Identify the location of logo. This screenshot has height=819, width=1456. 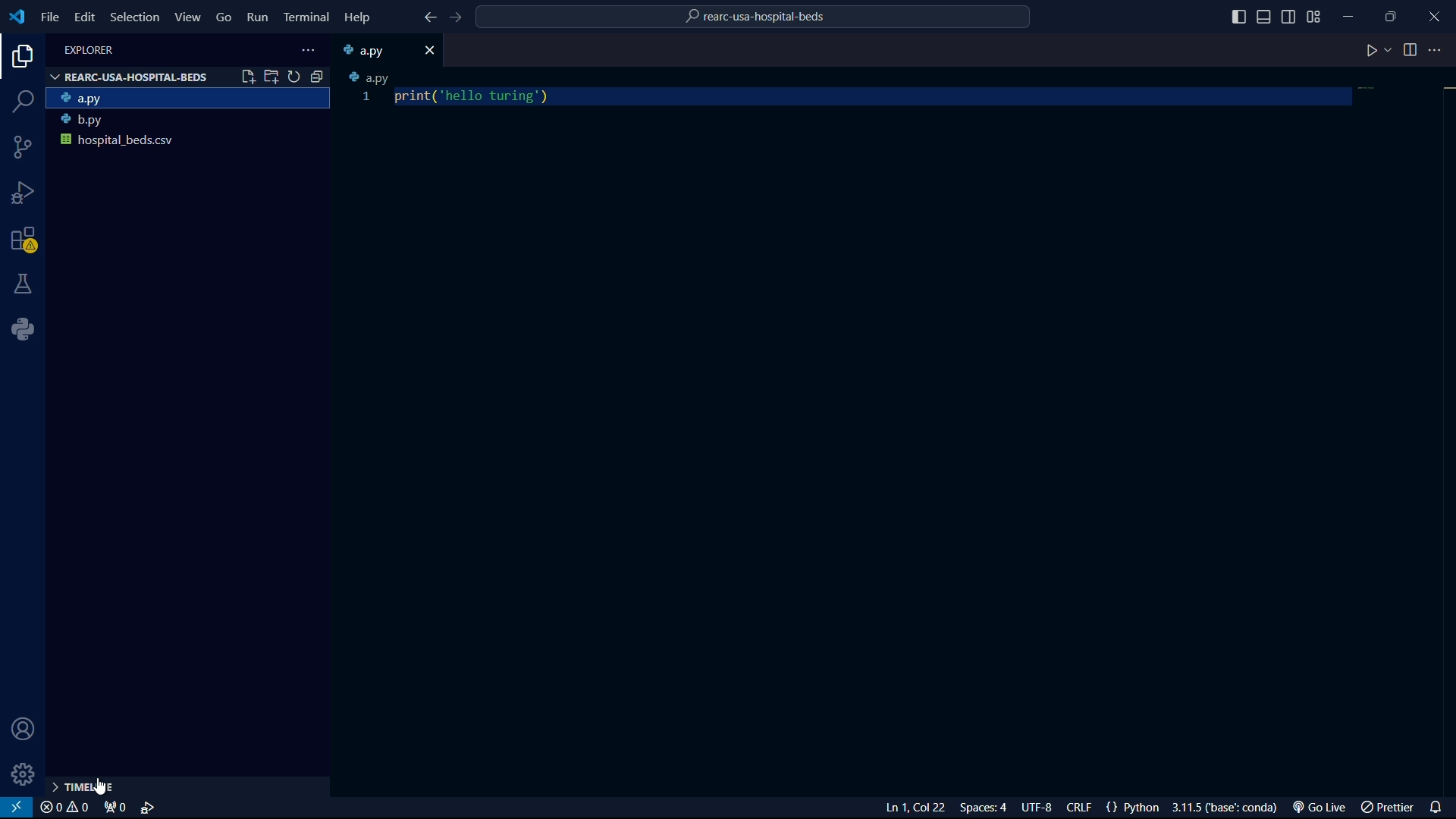
(17, 17).